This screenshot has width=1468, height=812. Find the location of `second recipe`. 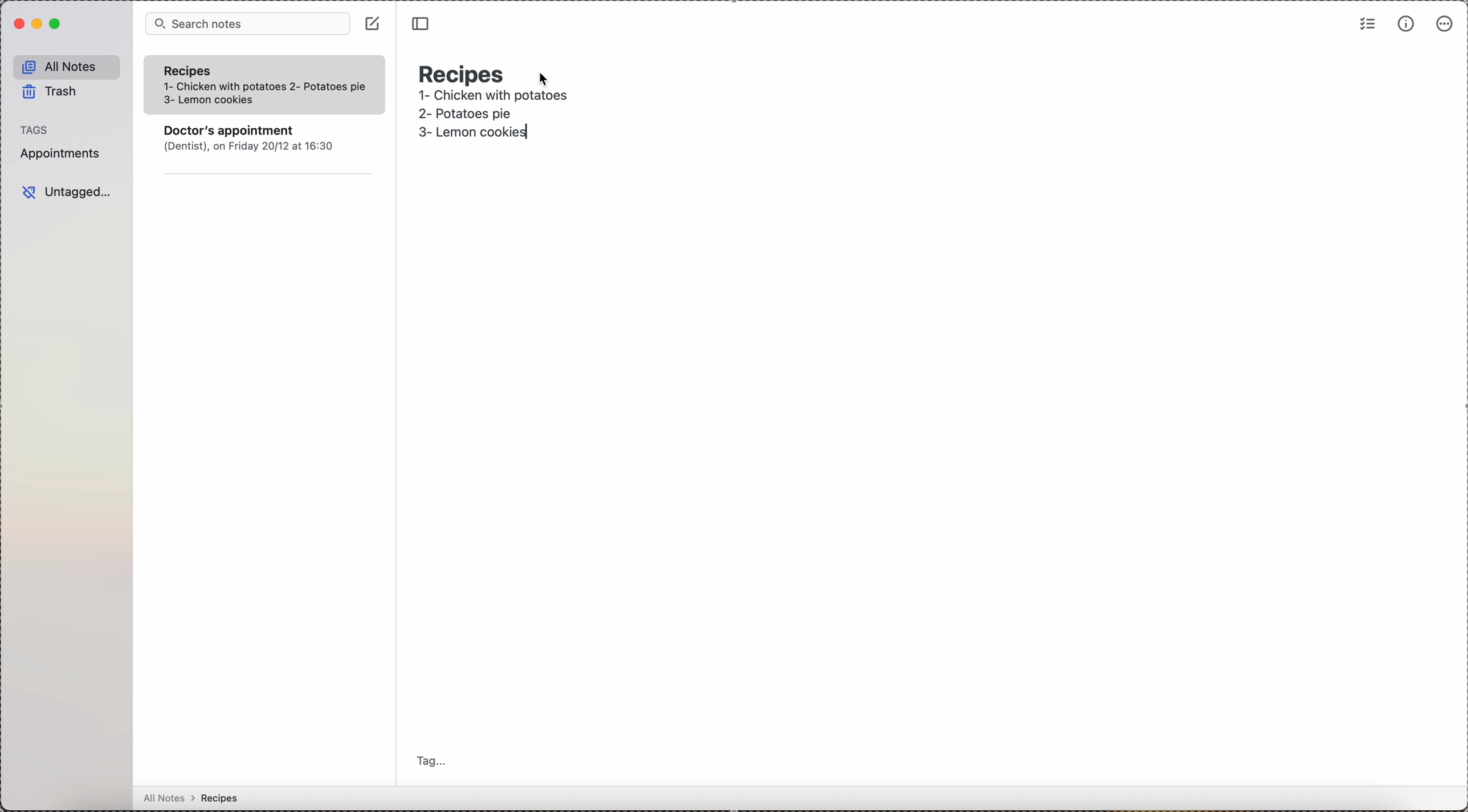

second recipe is located at coordinates (469, 112).